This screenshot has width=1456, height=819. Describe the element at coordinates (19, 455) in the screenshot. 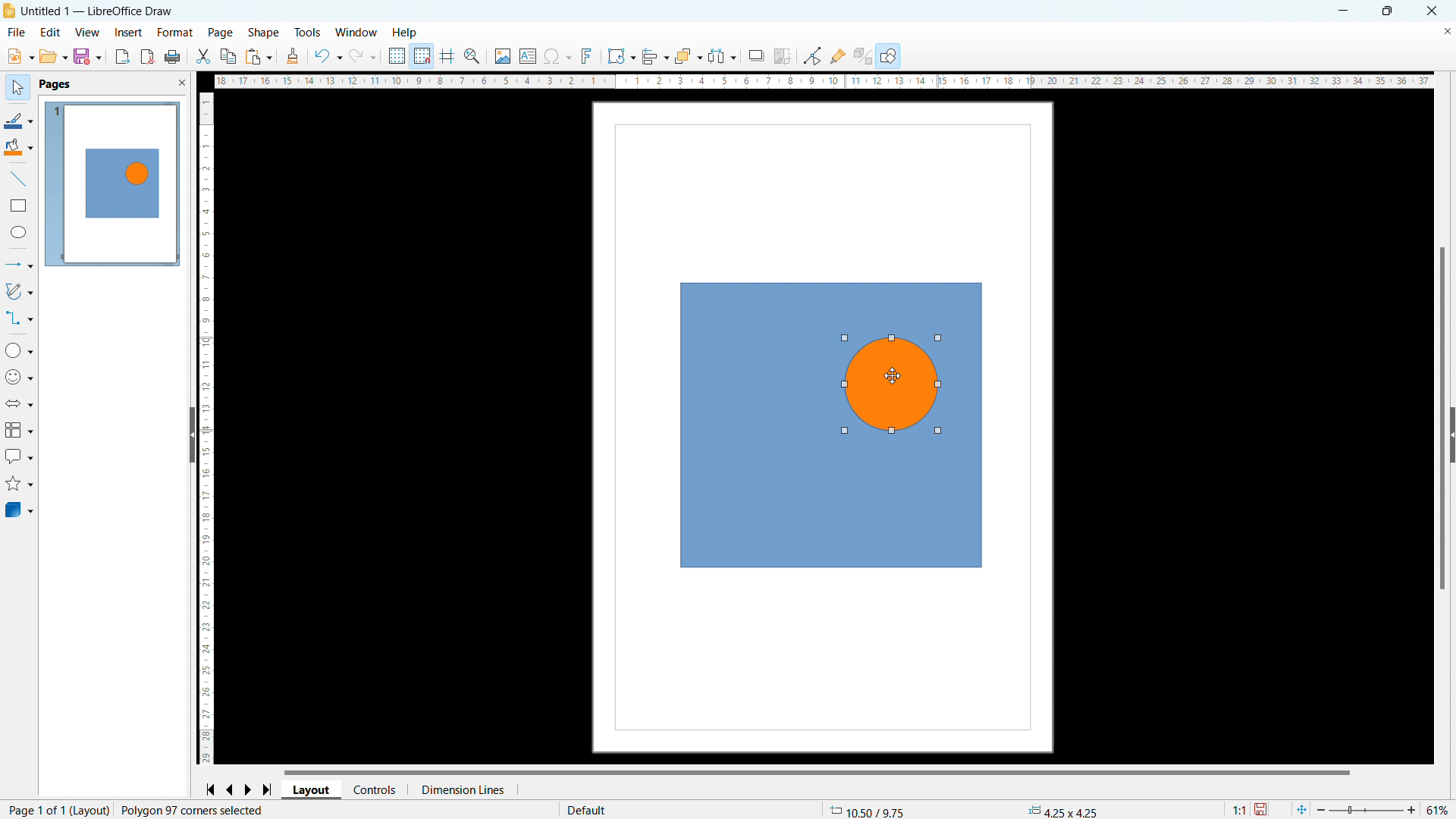

I see `callout shapes` at that location.